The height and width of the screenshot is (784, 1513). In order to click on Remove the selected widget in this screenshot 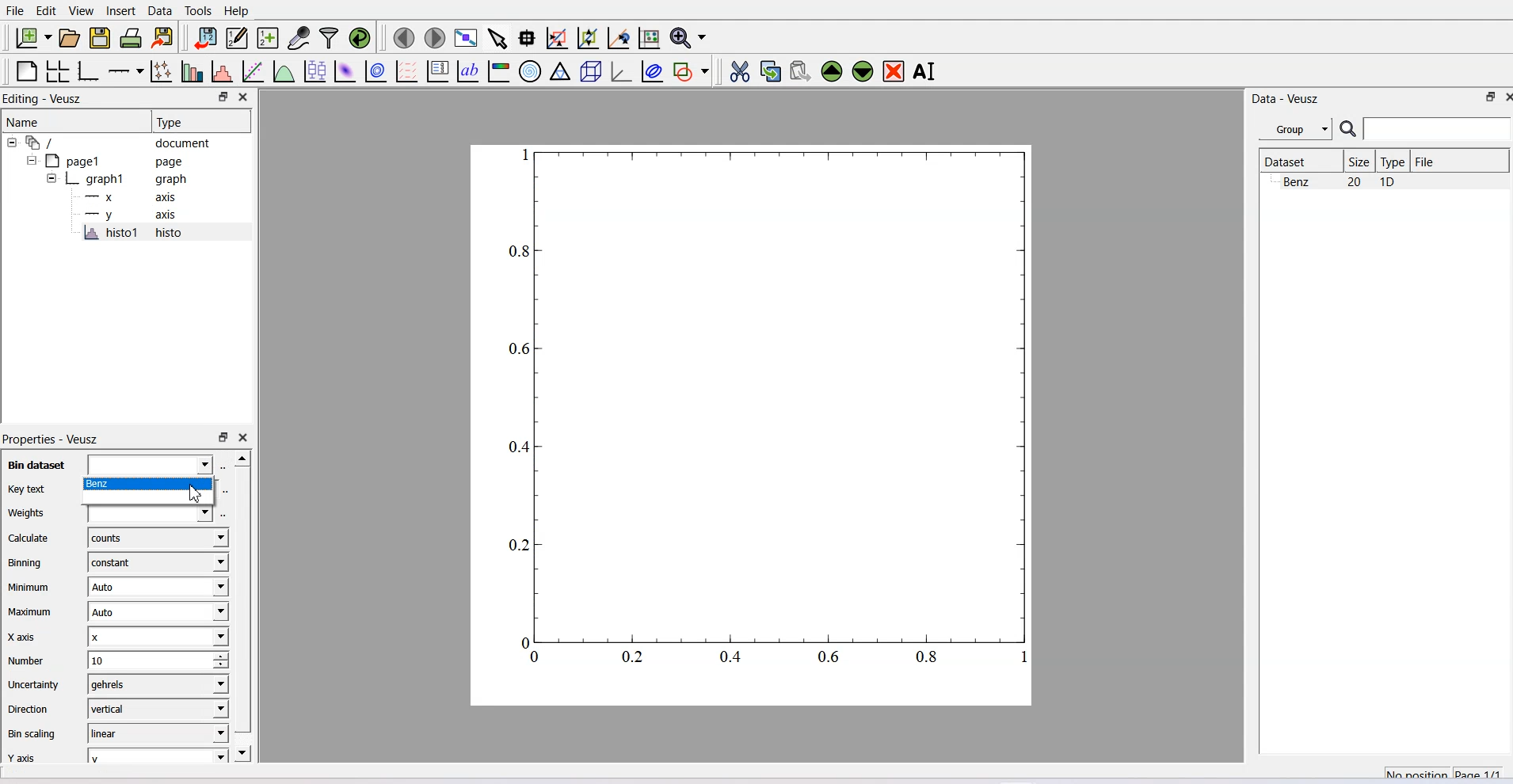, I will do `click(893, 71)`.